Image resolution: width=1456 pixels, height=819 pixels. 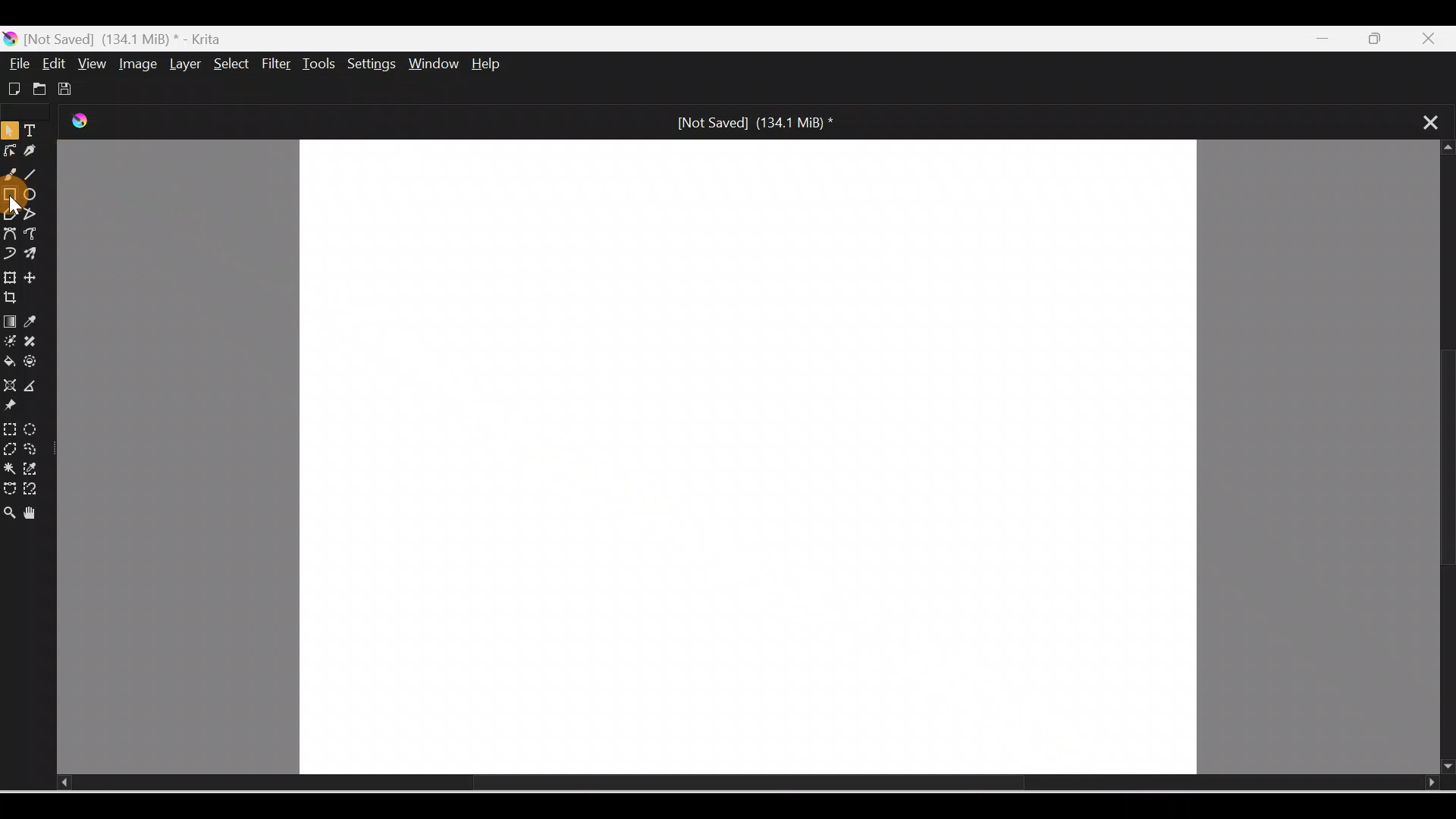 I want to click on Polygonal selection tool, so click(x=10, y=447).